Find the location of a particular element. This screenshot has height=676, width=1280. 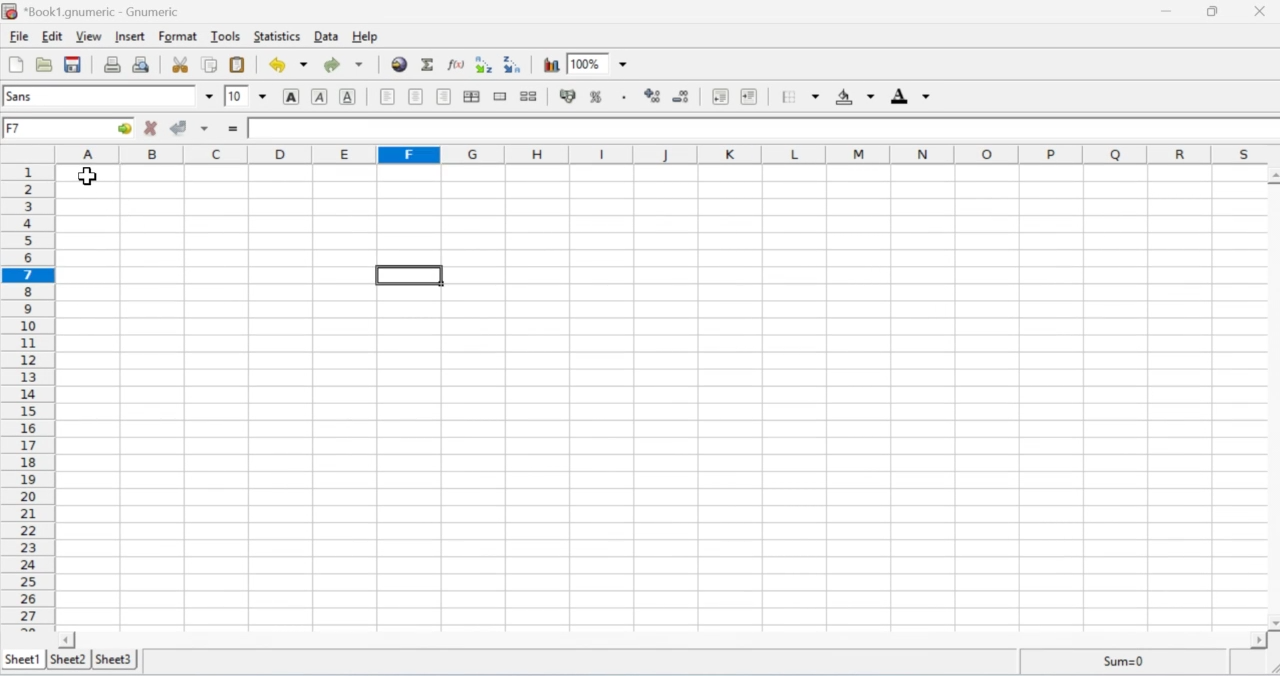

Data is located at coordinates (325, 36).